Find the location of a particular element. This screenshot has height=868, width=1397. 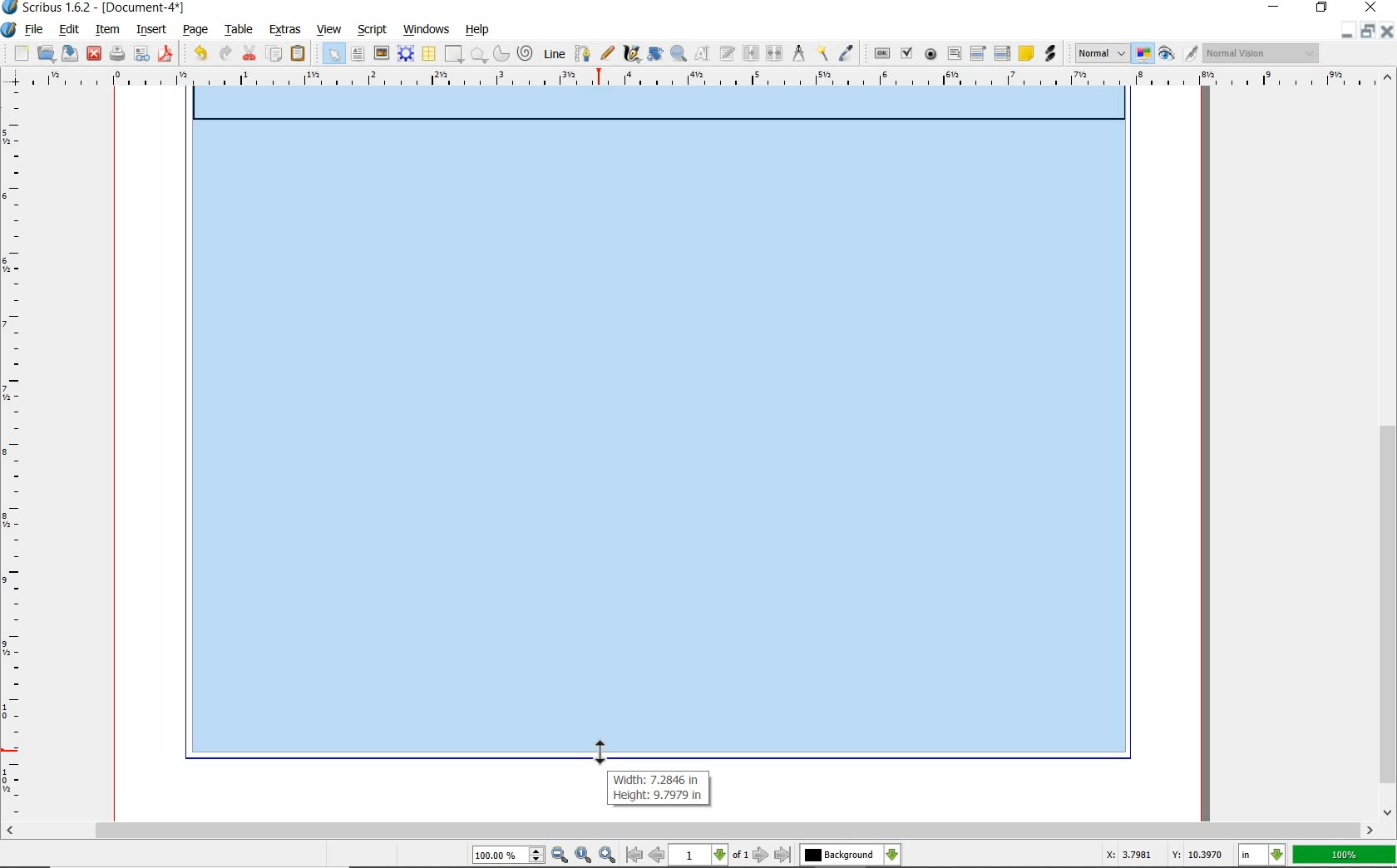

zoom to 100% is located at coordinates (585, 855).